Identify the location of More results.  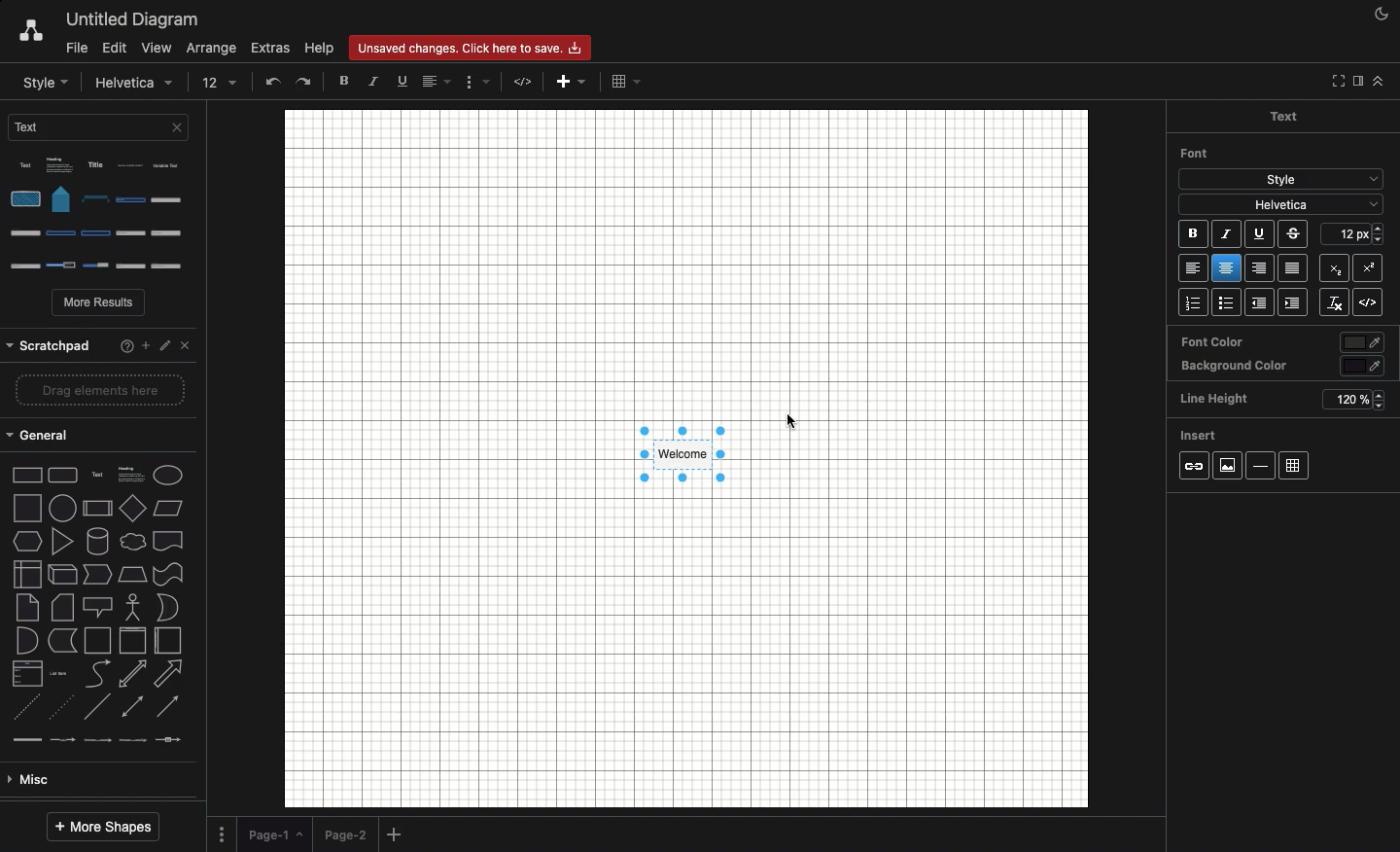
(100, 304).